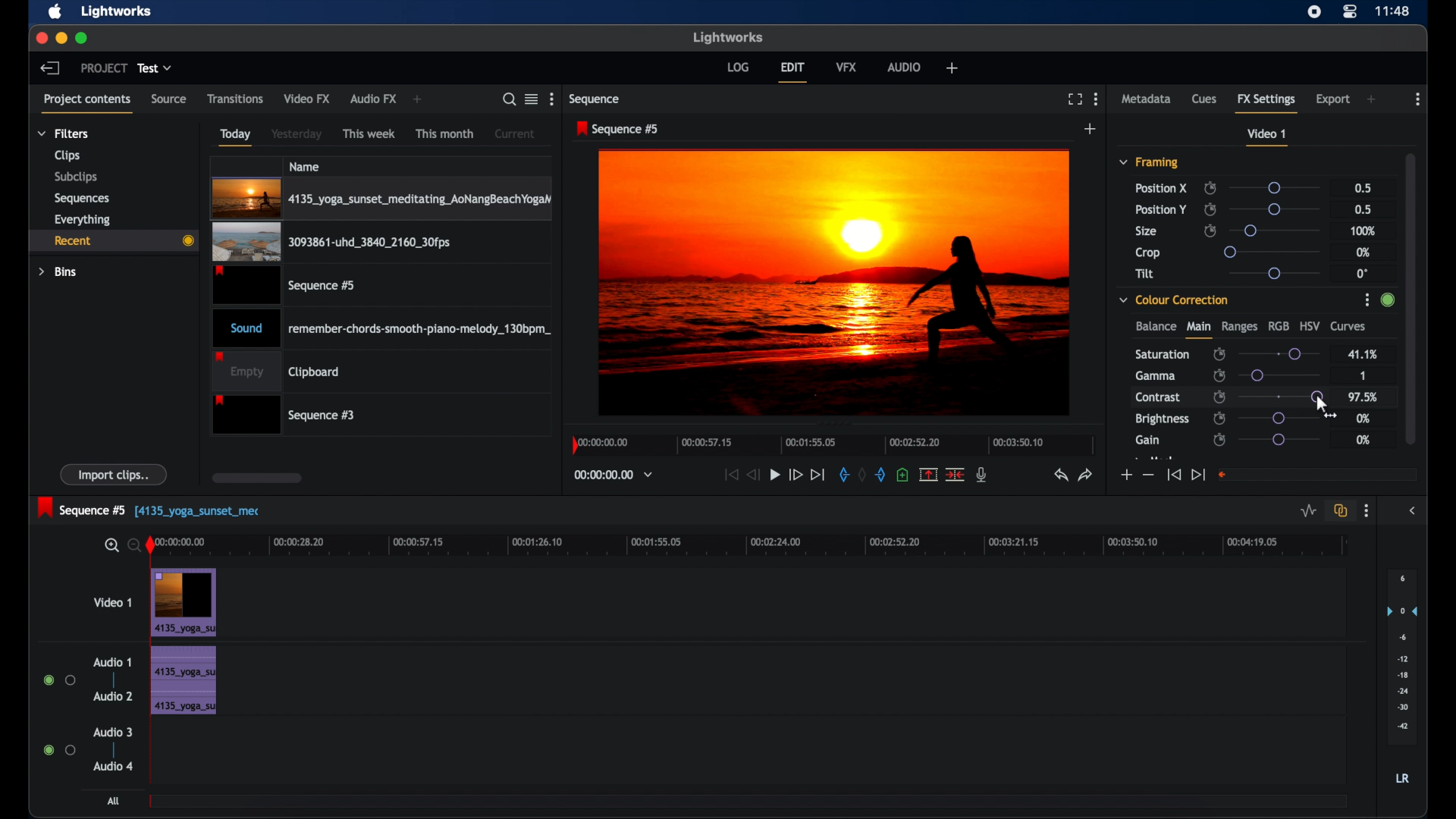  What do you see at coordinates (1205, 99) in the screenshot?
I see `cues` at bounding box center [1205, 99].